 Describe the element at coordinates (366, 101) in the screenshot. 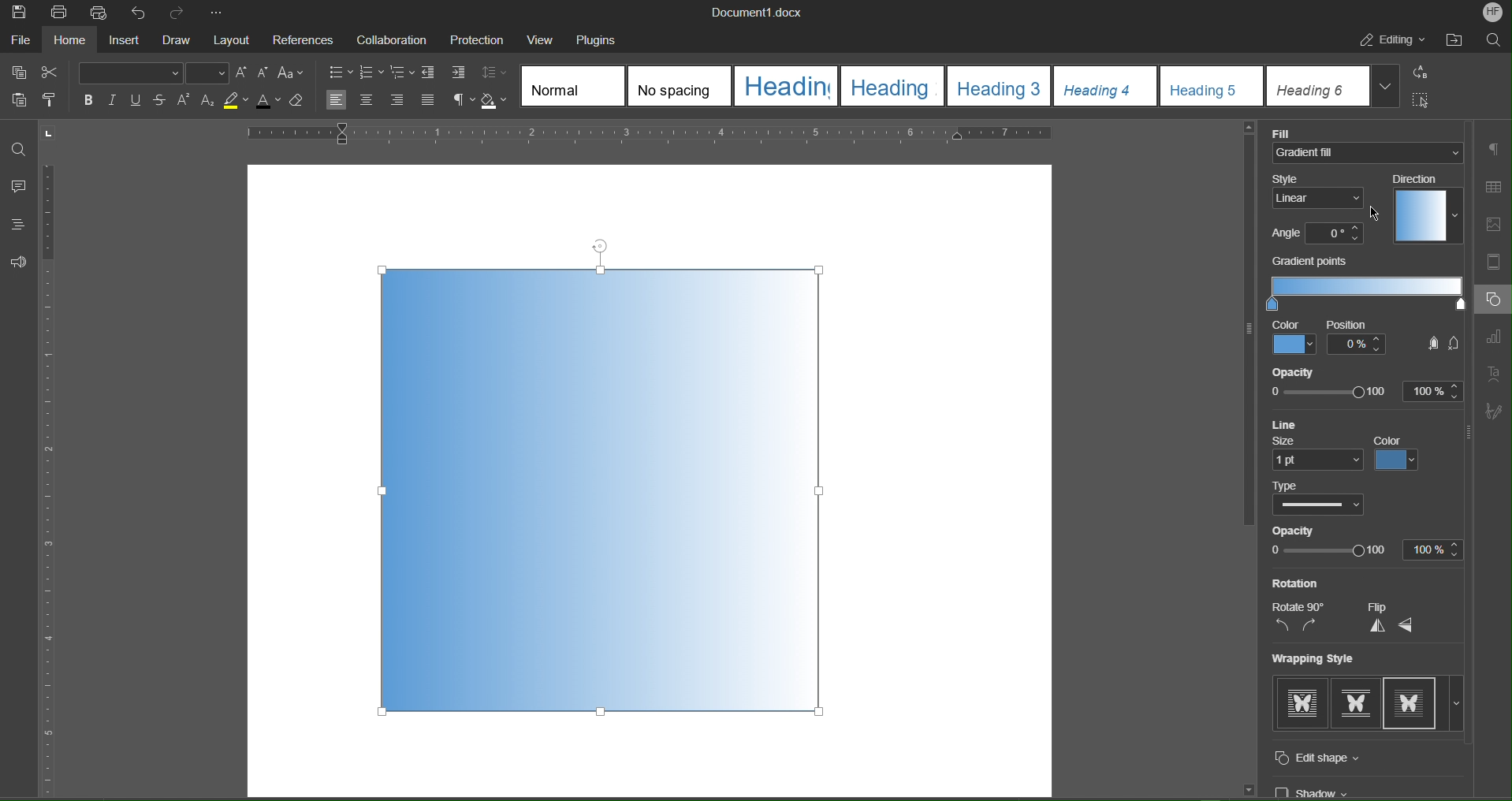

I see `Centre Align` at that location.